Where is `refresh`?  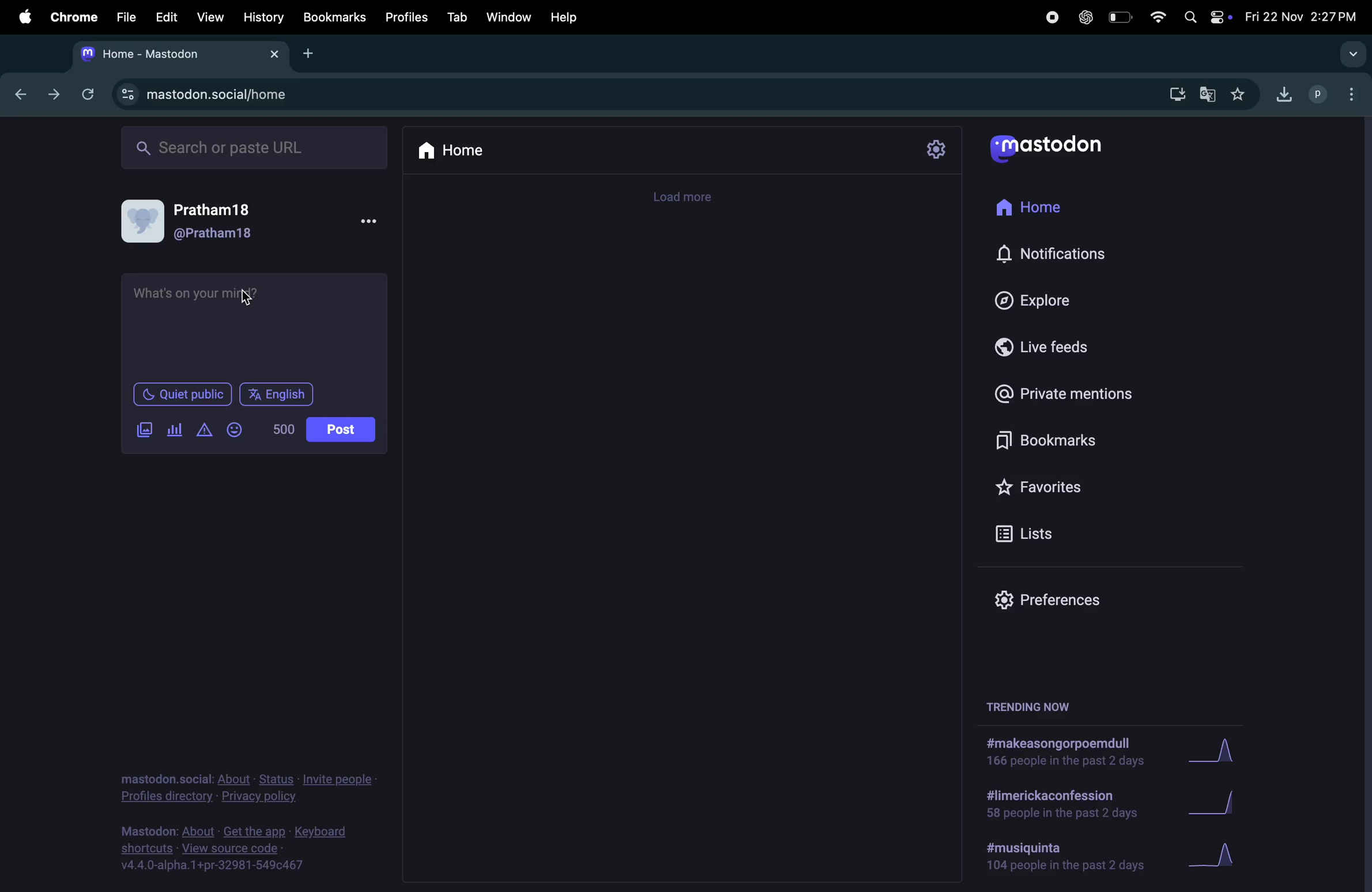
refresh is located at coordinates (85, 93).